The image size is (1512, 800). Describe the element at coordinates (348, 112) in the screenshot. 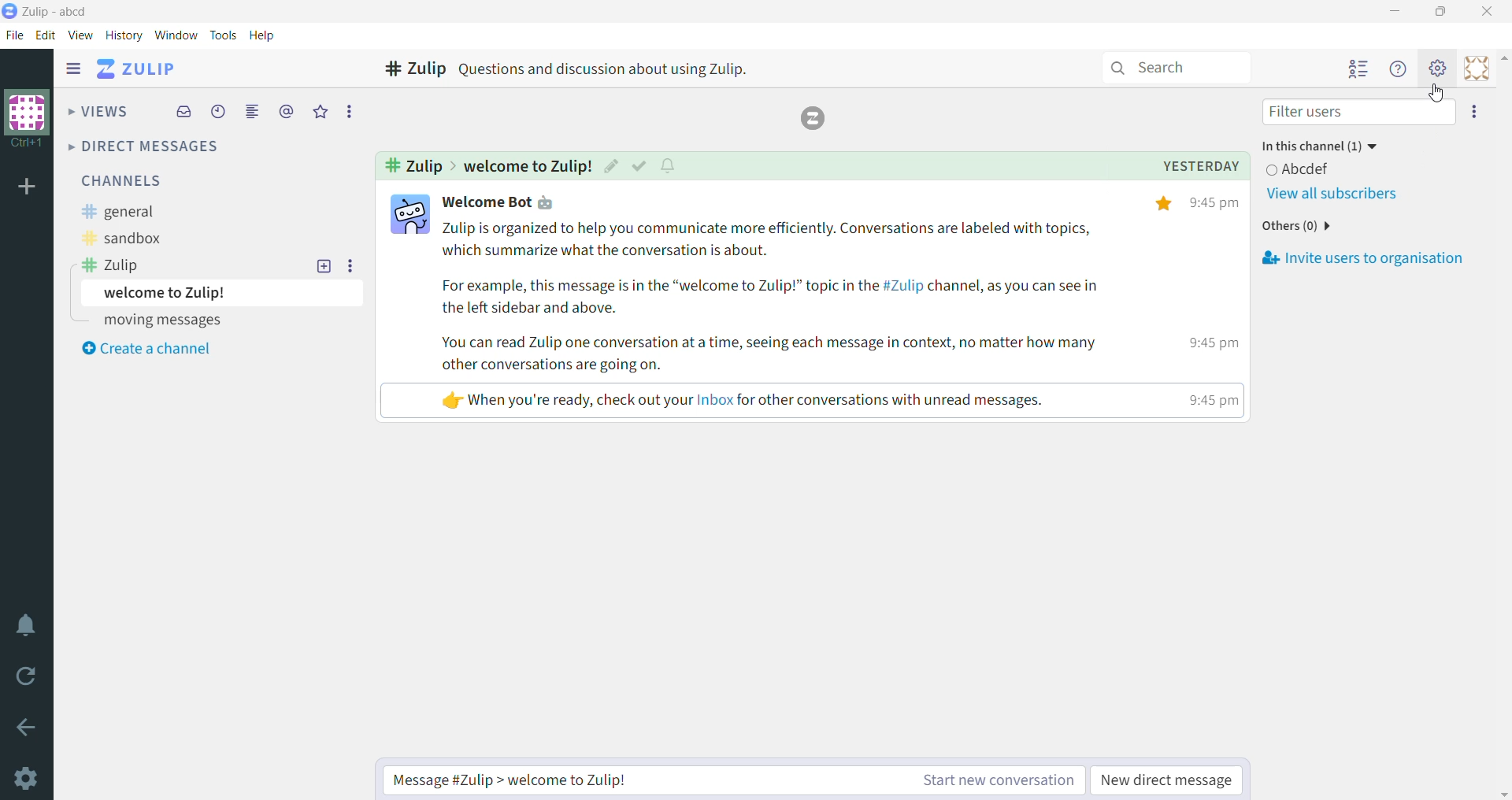

I see `More` at that location.